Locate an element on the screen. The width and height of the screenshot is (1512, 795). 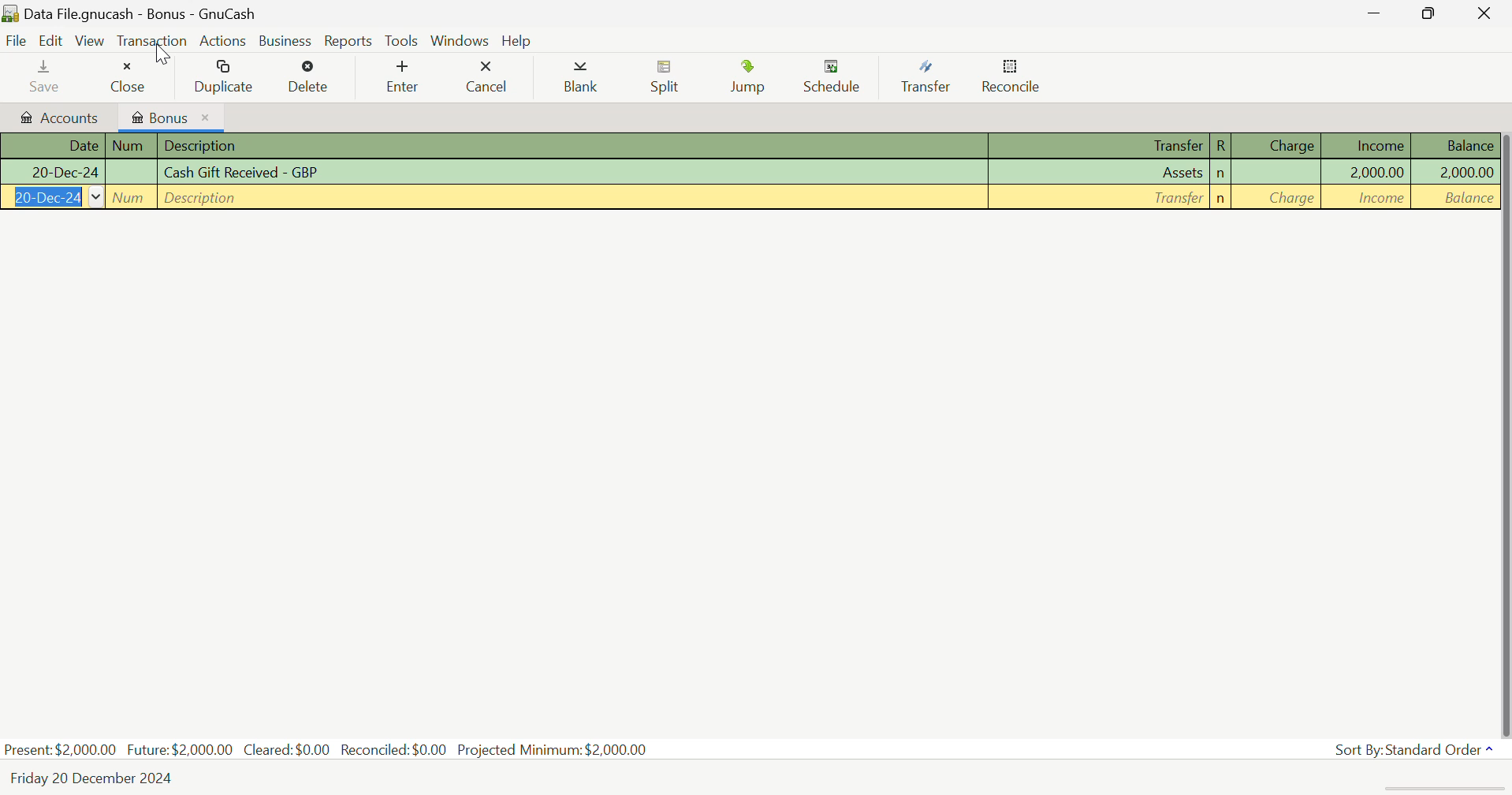
Delete  is located at coordinates (310, 77).